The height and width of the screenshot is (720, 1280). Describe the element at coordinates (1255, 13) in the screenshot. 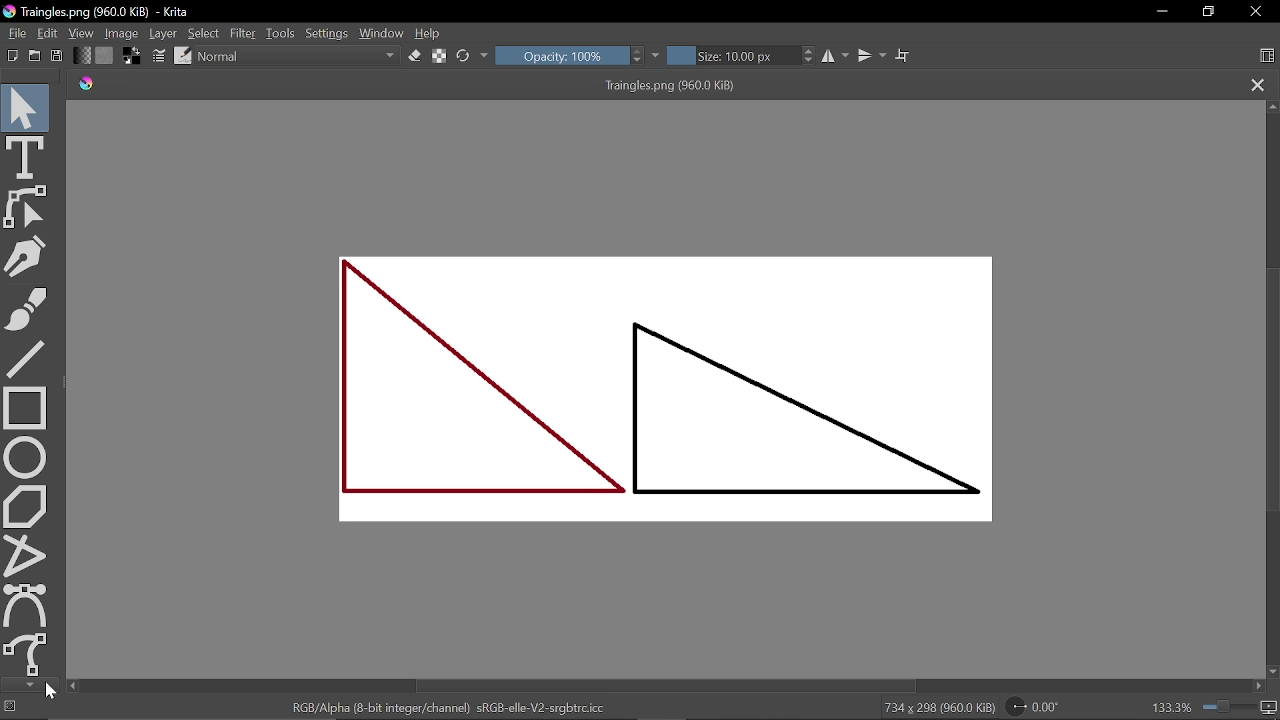

I see `Close` at that location.